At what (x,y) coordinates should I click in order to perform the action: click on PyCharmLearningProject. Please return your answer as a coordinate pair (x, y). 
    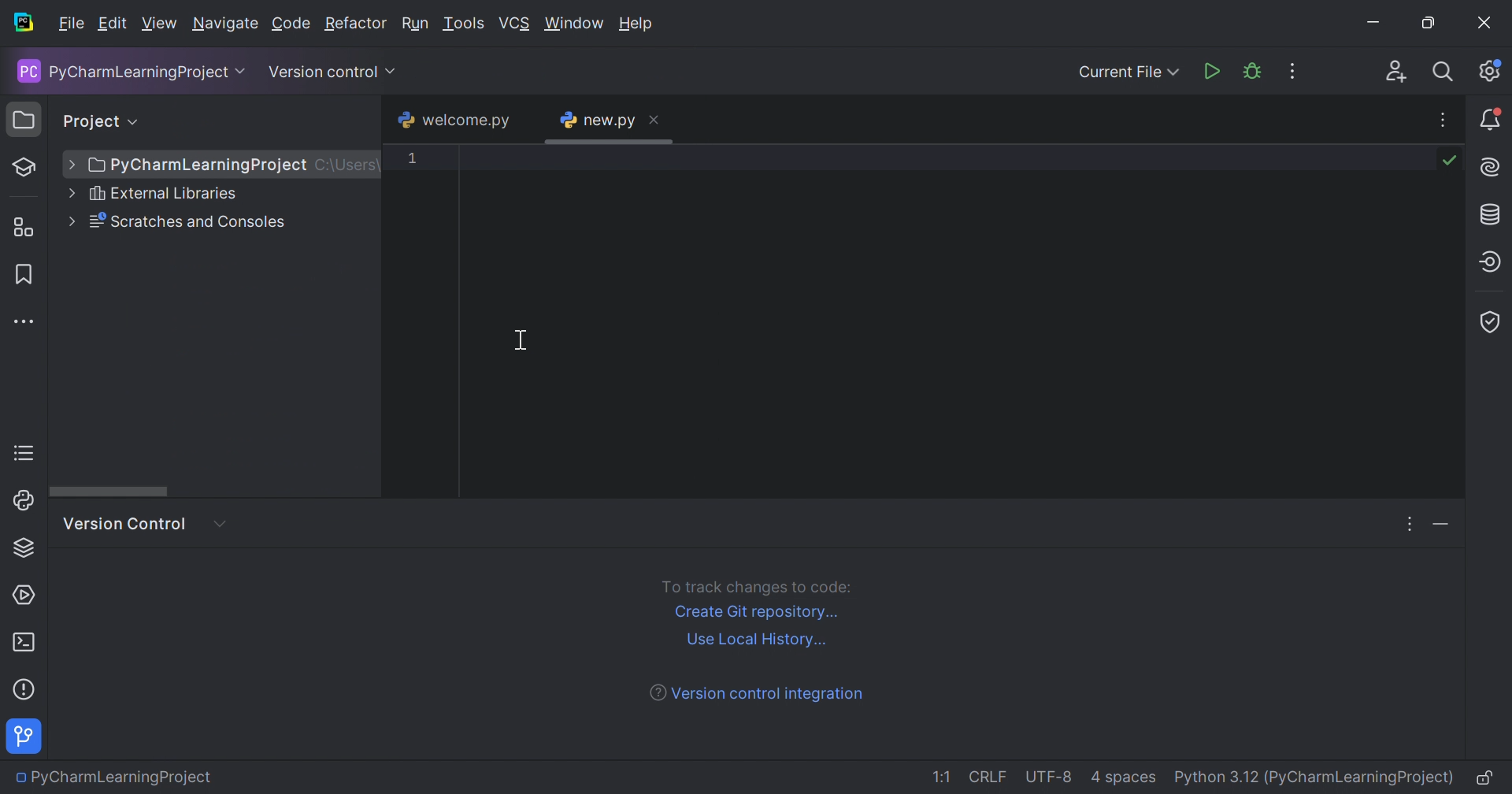
    Looking at the image, I should click on (130, 72).